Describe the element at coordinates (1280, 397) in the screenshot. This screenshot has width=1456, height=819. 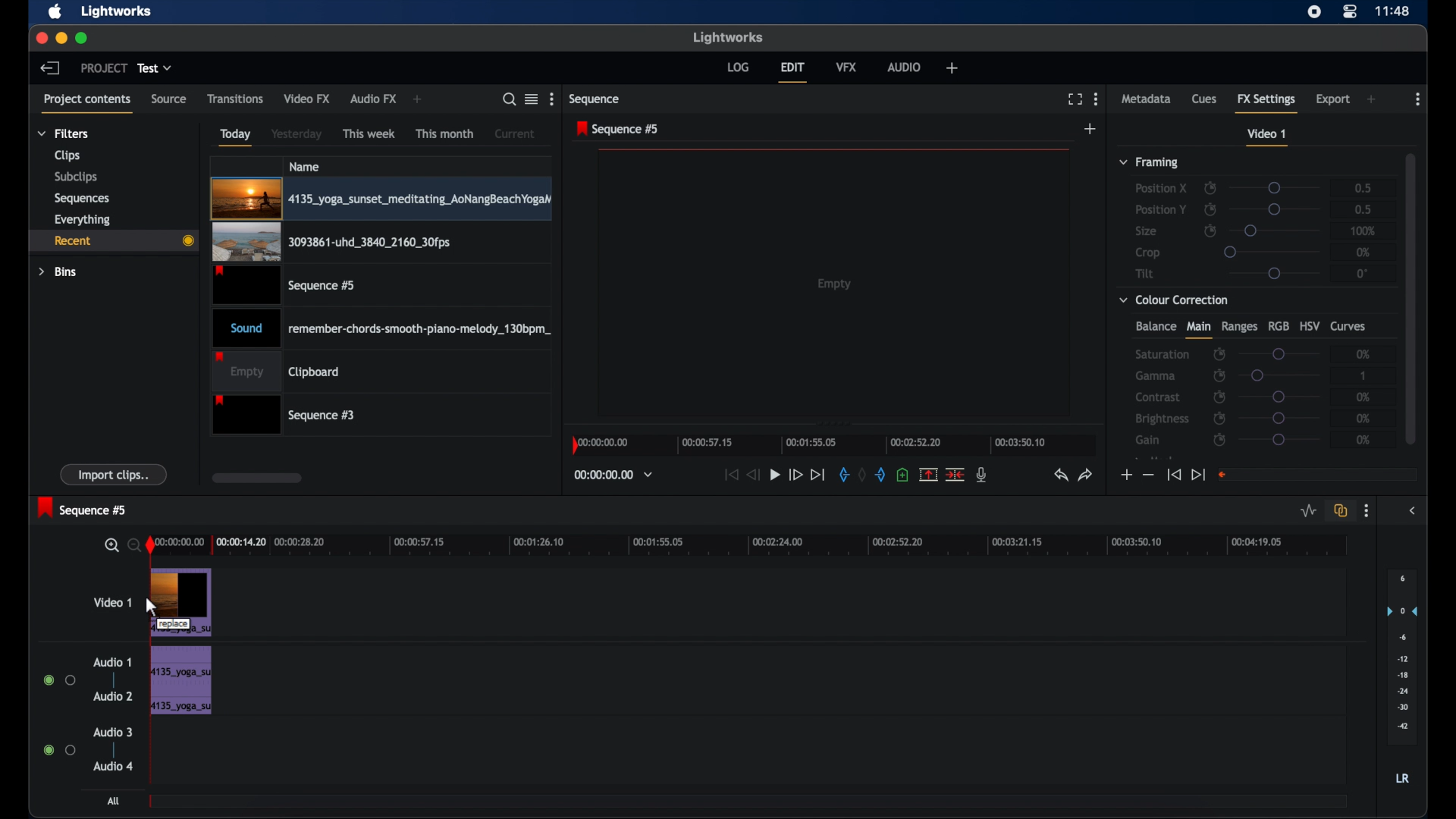
I see `slider` at that location.